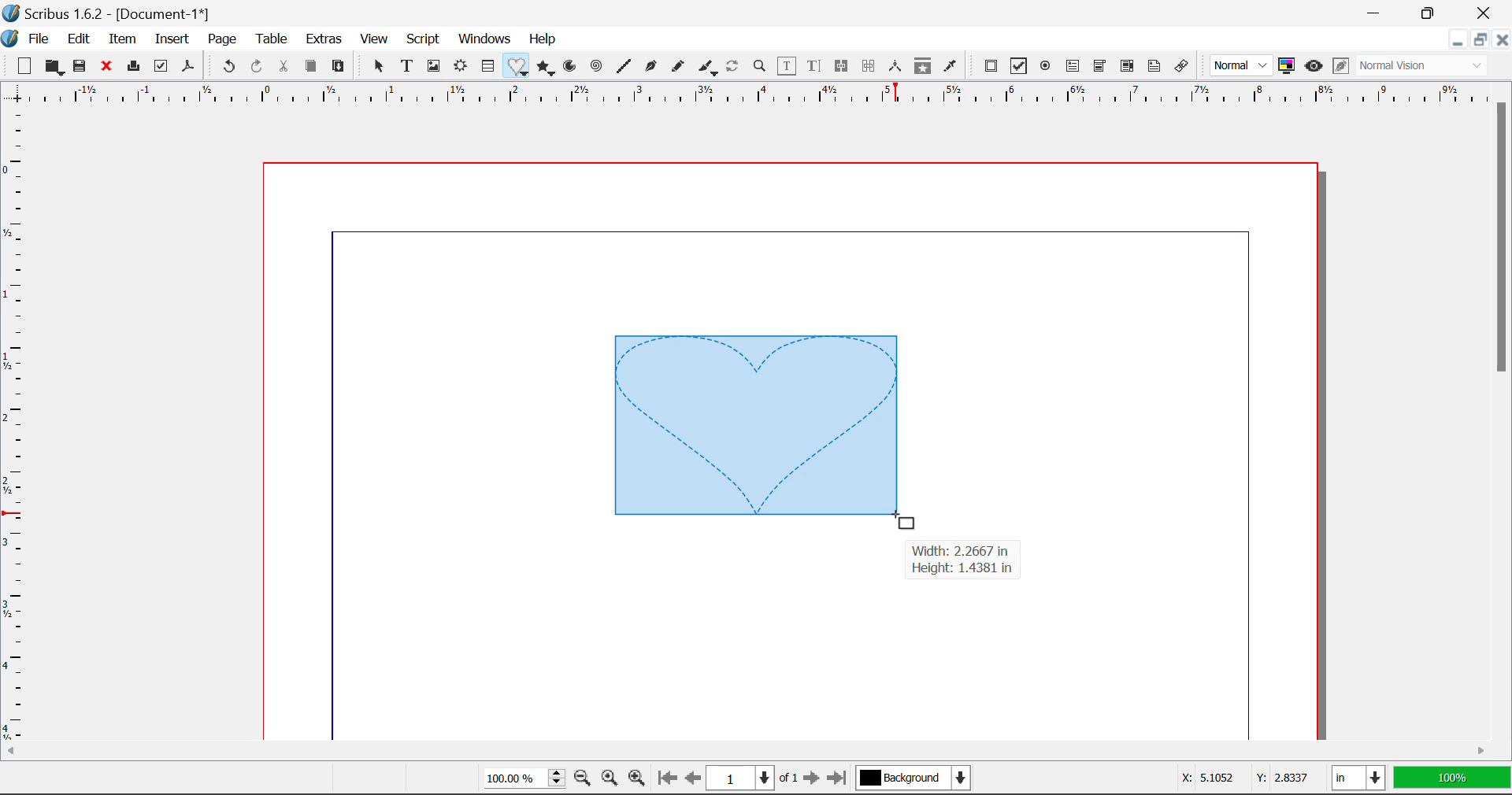  What do you see at coordinates (1047, 68) in the screenshot?
I see `Pdf Radio Button` at bounding box center [1047, 68].